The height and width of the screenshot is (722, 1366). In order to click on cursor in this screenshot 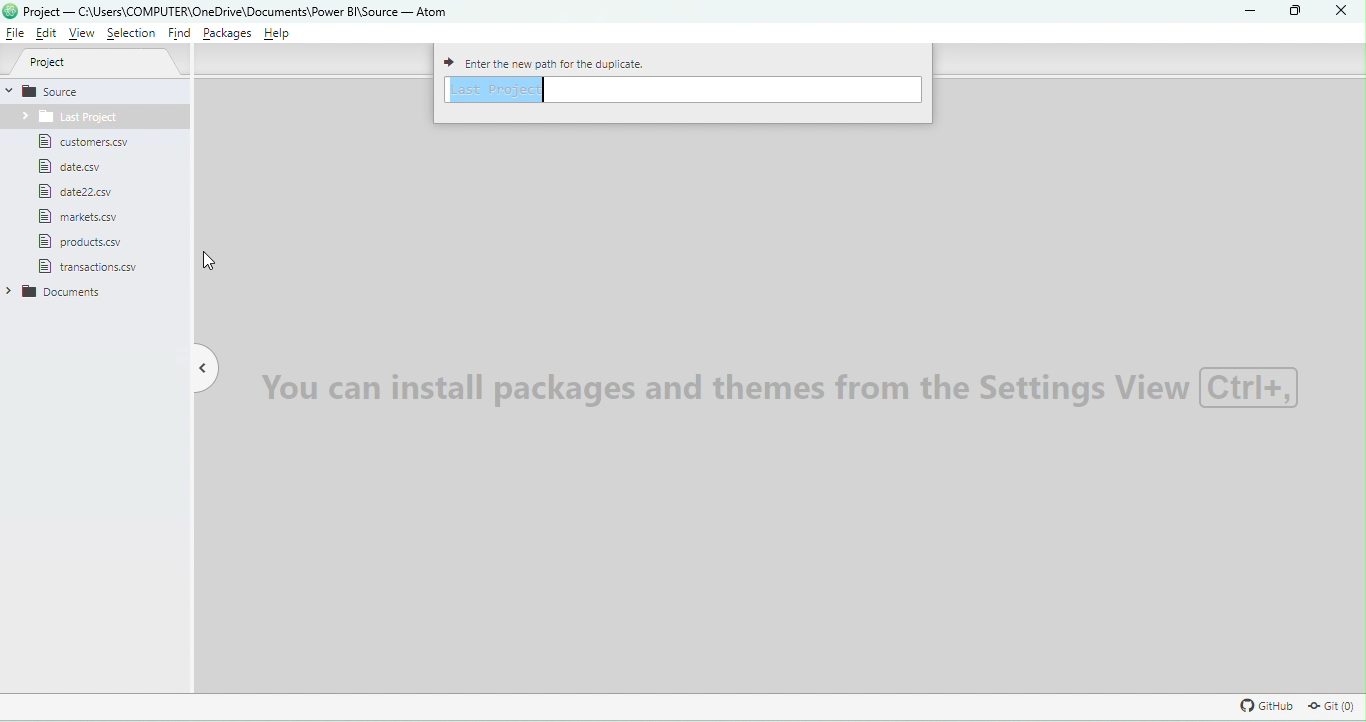, I will do `click(211, 259)`.